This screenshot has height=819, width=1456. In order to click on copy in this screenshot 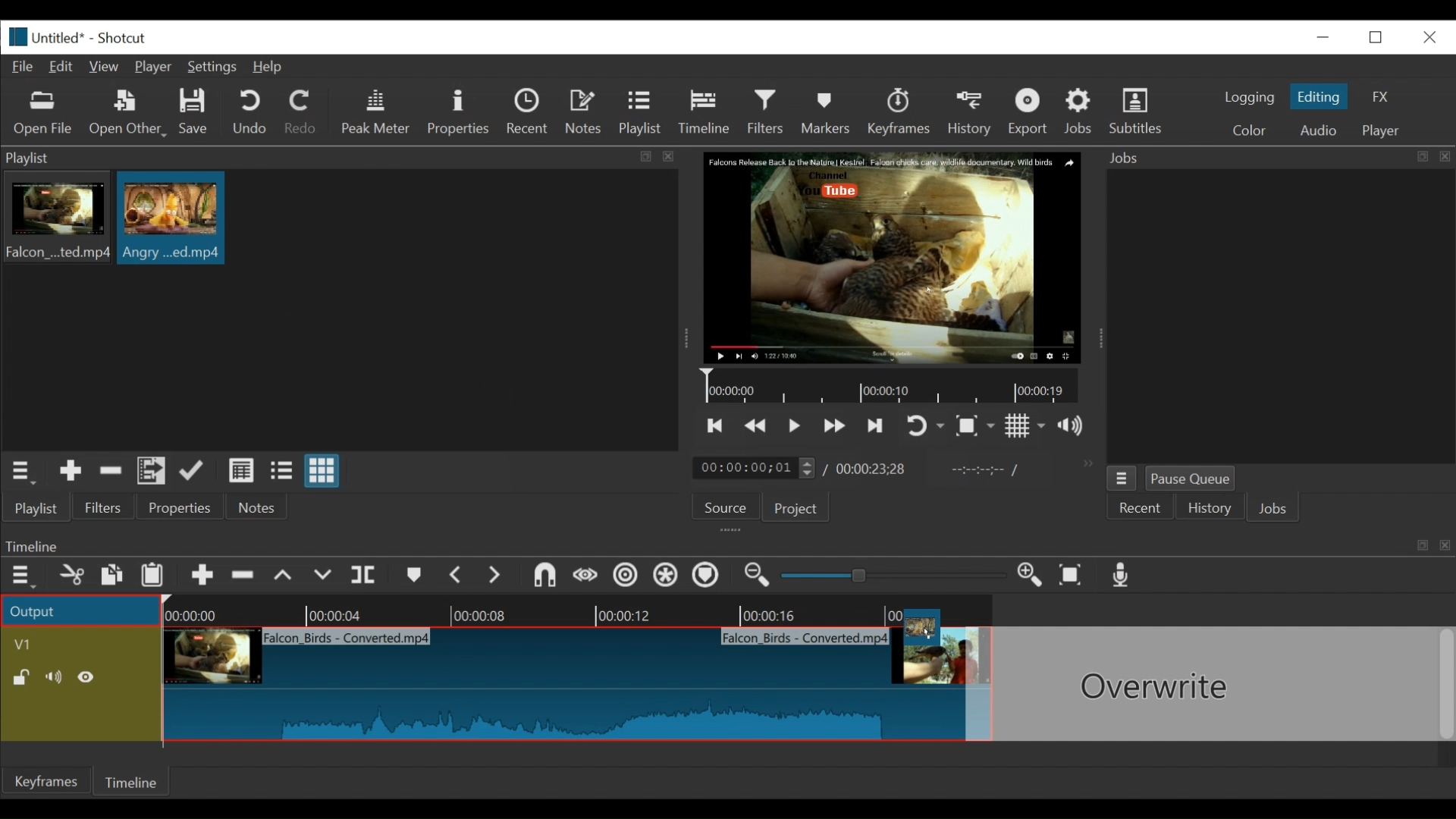, I will do `click(113, 577)`.